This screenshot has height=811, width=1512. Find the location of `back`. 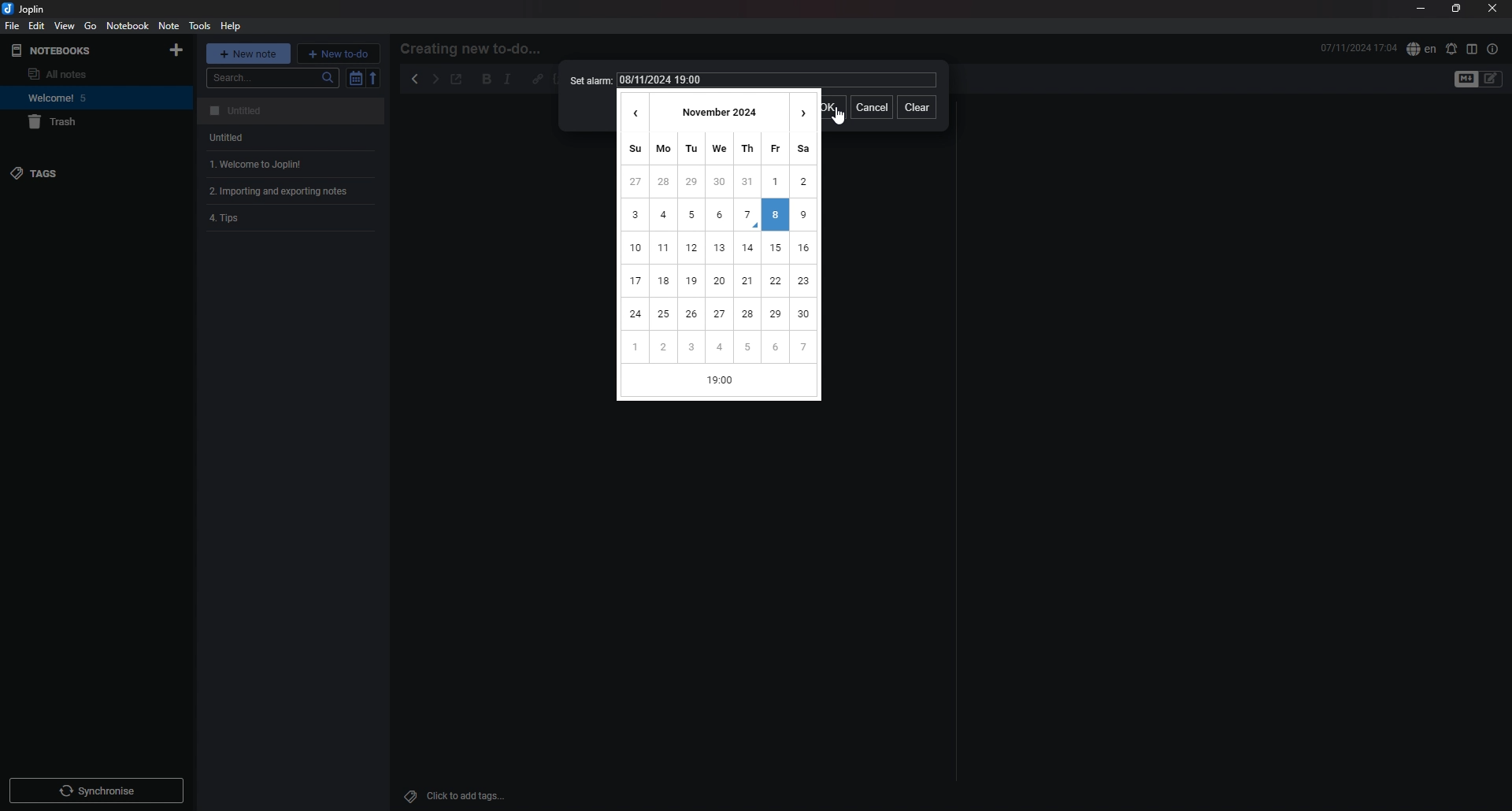

back is located at coordinates (415, 79).